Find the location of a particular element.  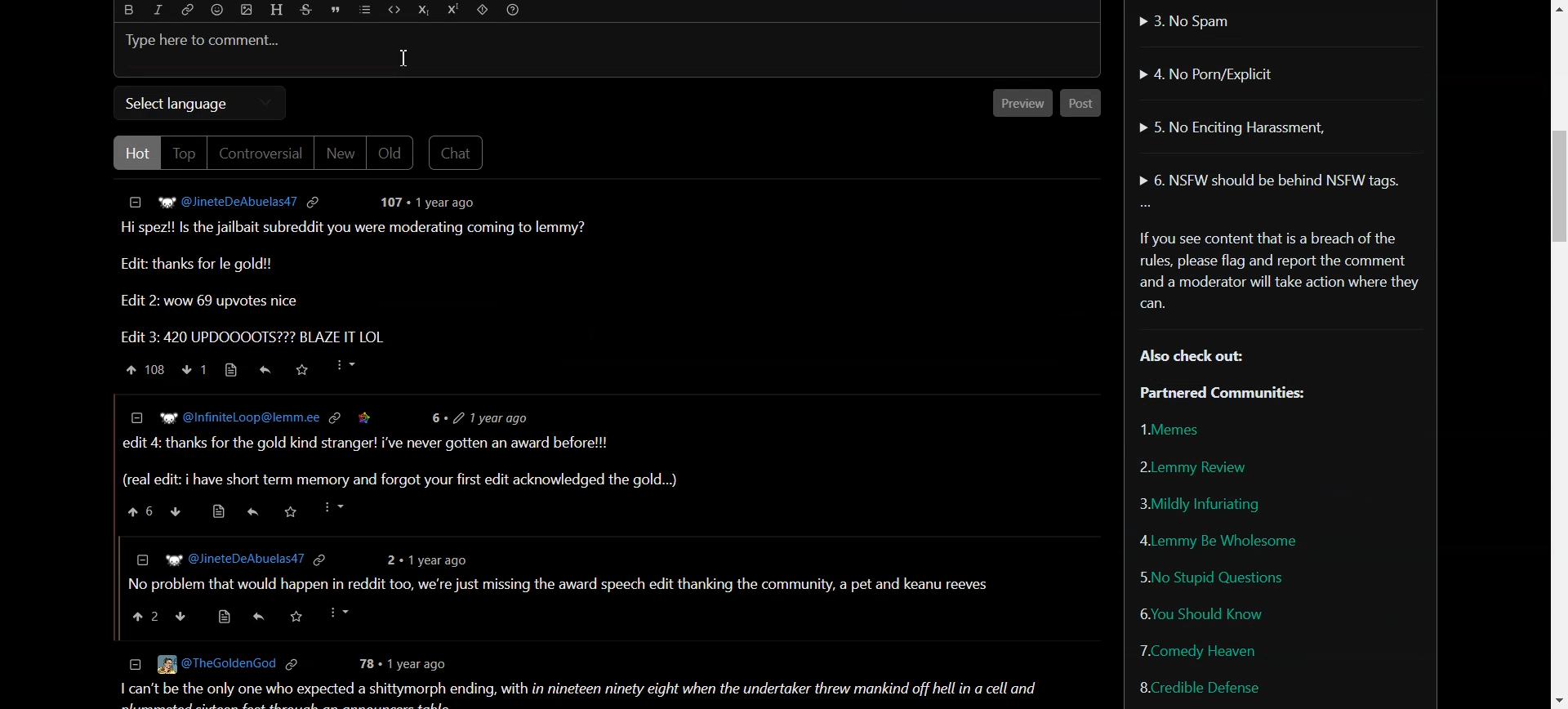

Upvote is located at coordinates (148, 369).